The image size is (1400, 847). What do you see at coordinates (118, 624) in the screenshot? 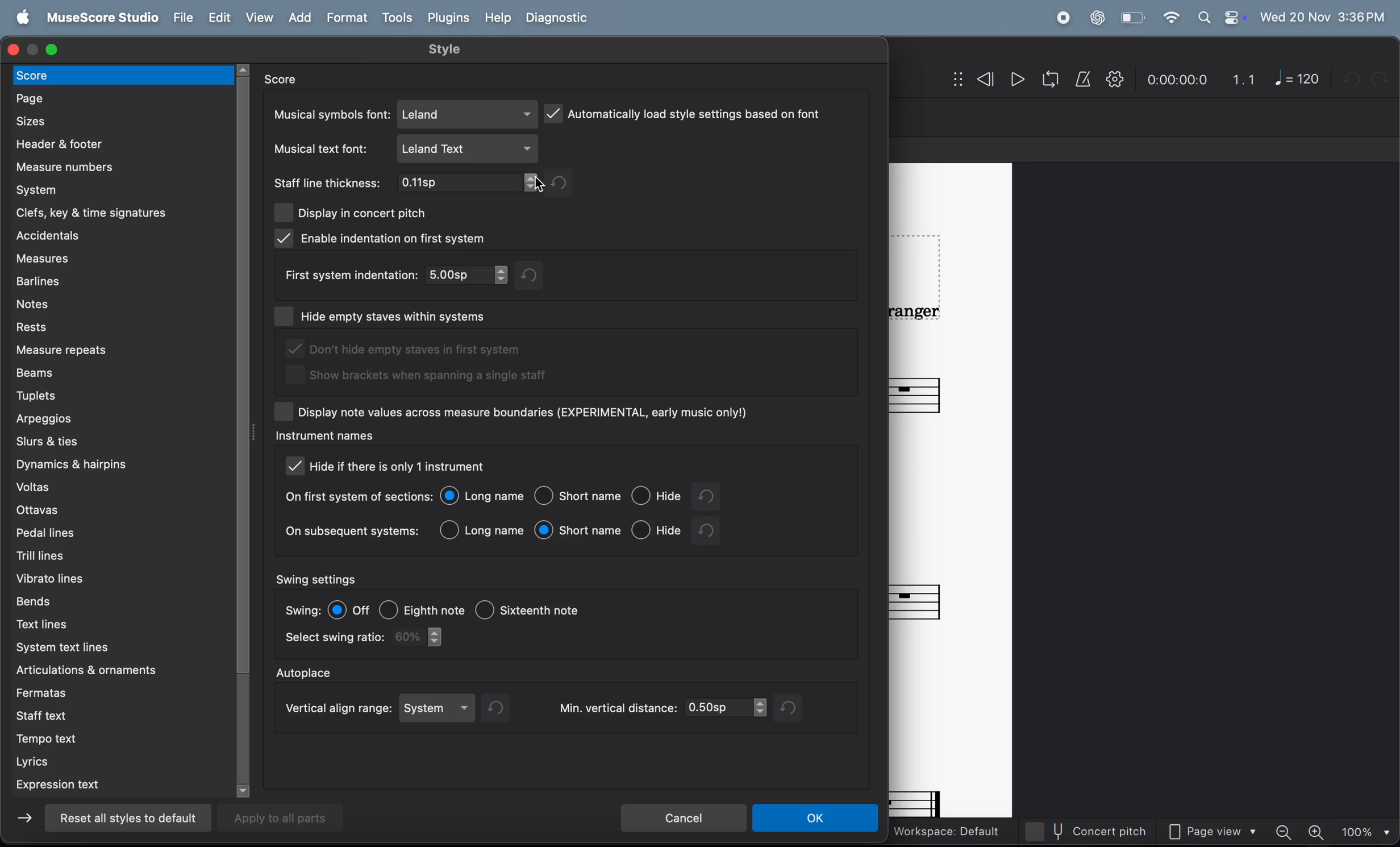
I see `text lines` at bounding box center [118, 624].